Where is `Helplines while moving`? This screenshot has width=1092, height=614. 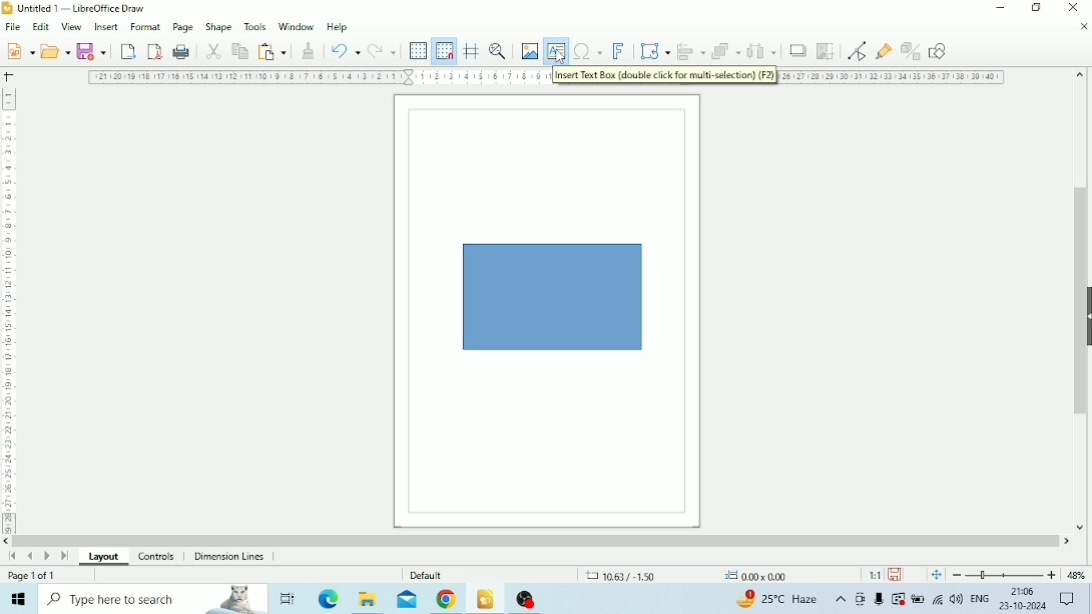
Helplines while moving is located at coordinates (471, 51).